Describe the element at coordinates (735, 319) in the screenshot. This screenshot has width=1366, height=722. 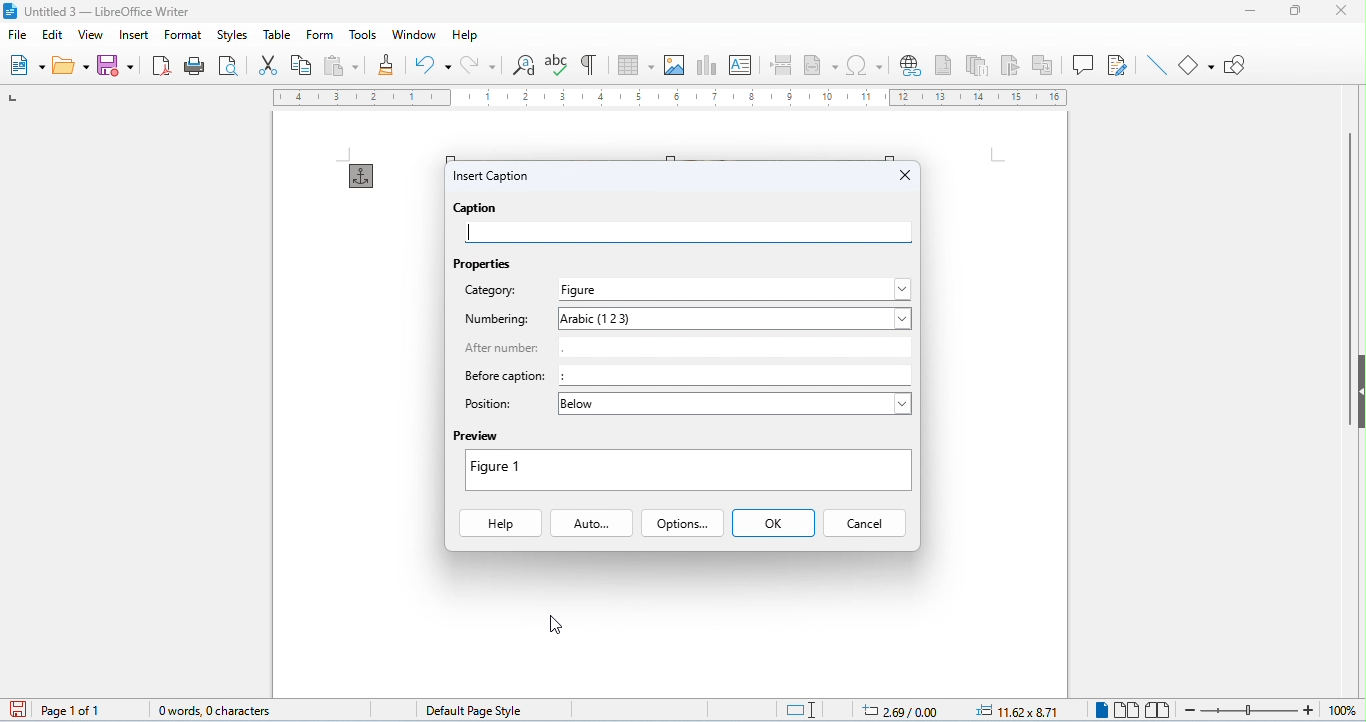
I see `select numbering` at that location.